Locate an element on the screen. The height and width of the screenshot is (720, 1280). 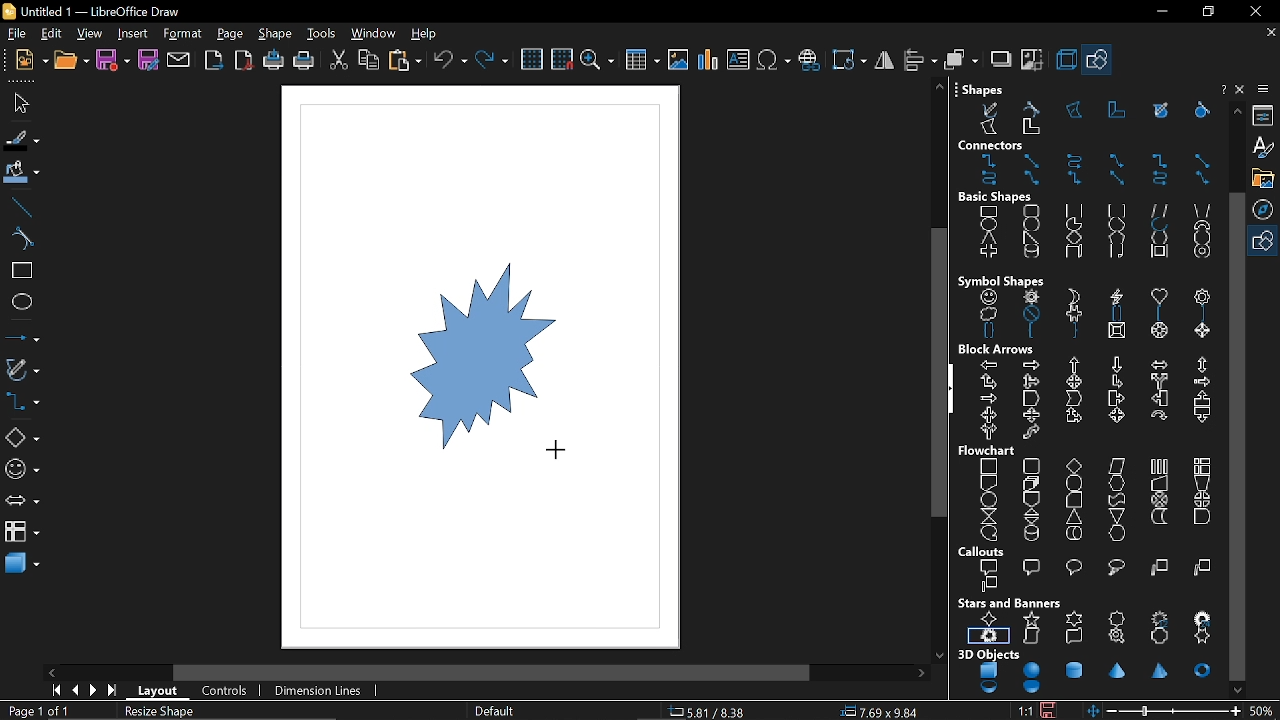
shadow is located at coordinates (1001, 61).